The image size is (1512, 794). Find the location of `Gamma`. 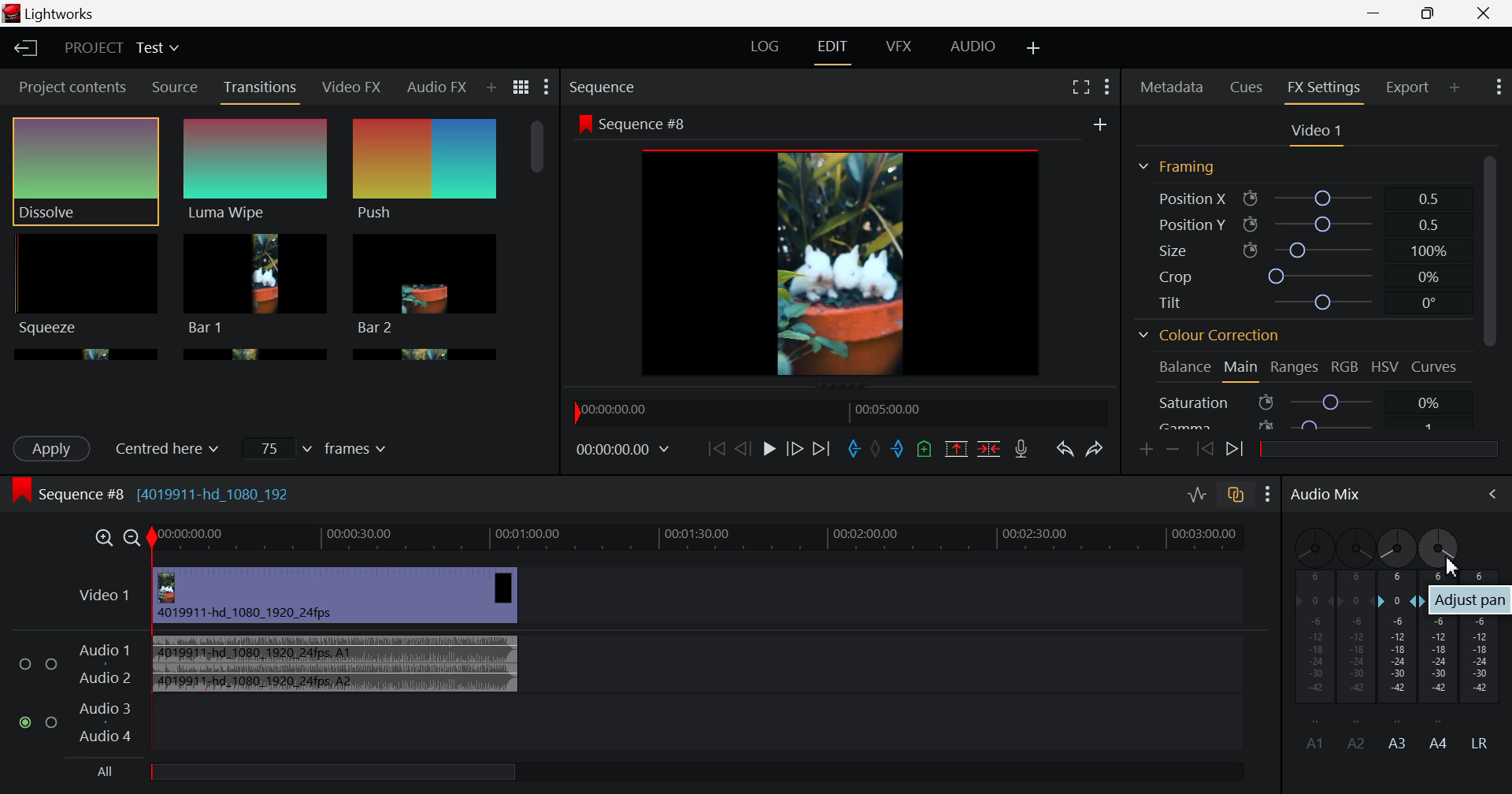

Gamma is located at coordinates (1305, 425).